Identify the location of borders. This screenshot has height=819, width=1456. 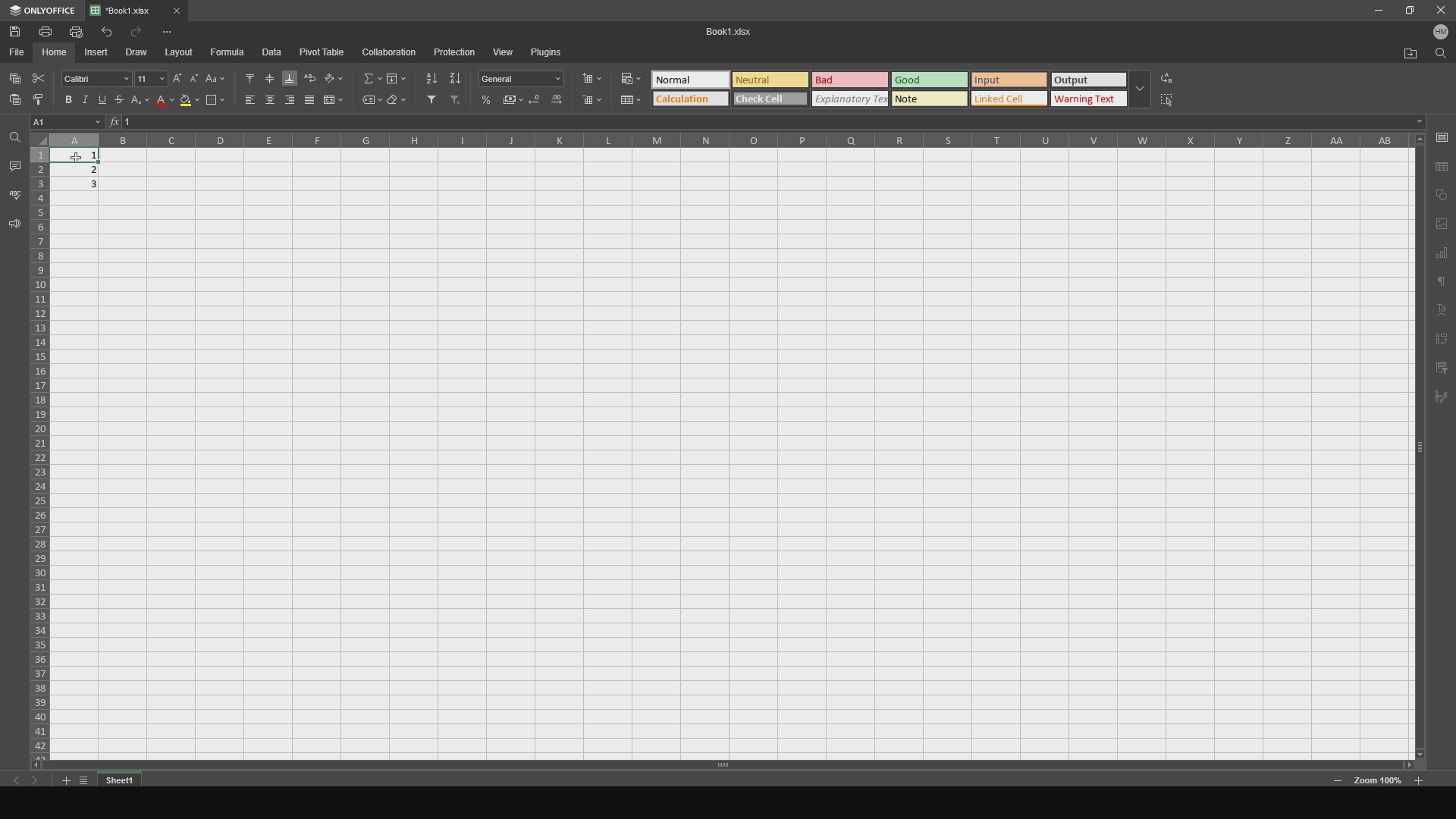
(215, 101).